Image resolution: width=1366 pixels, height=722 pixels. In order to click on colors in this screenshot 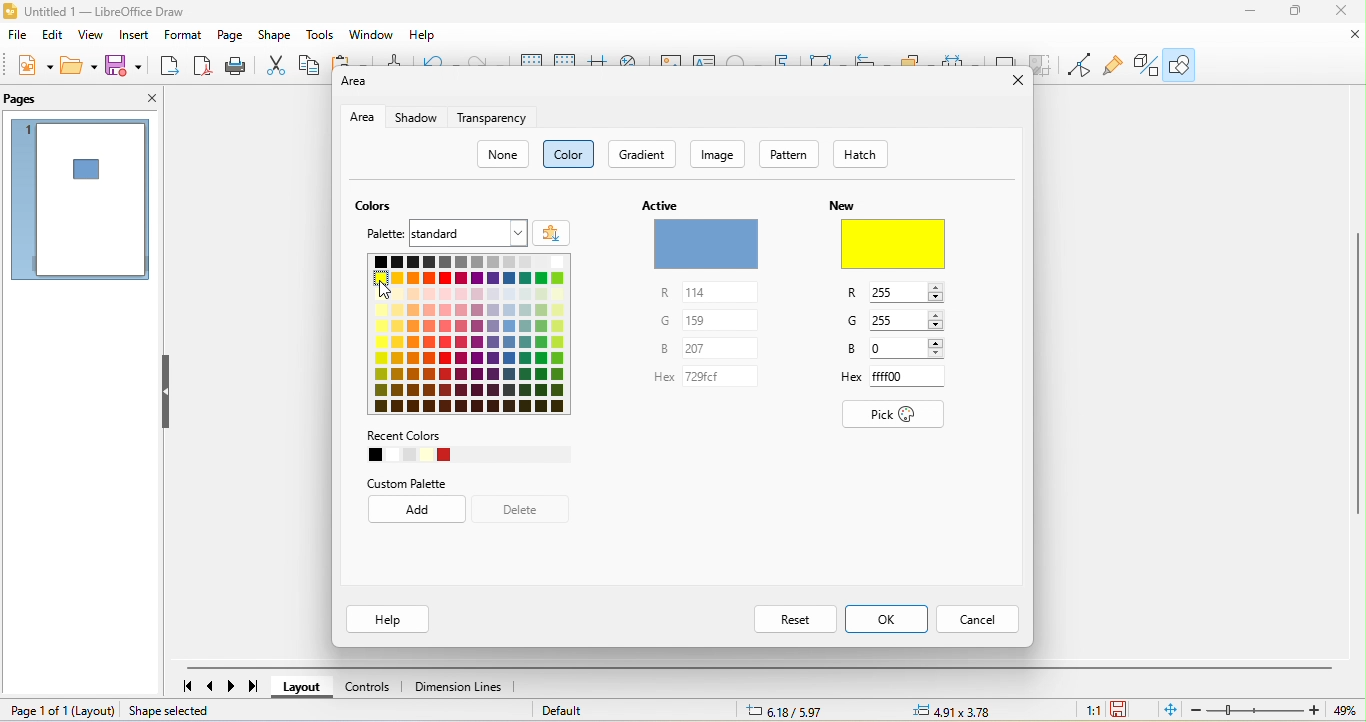, I will do `click(380, 207)`.